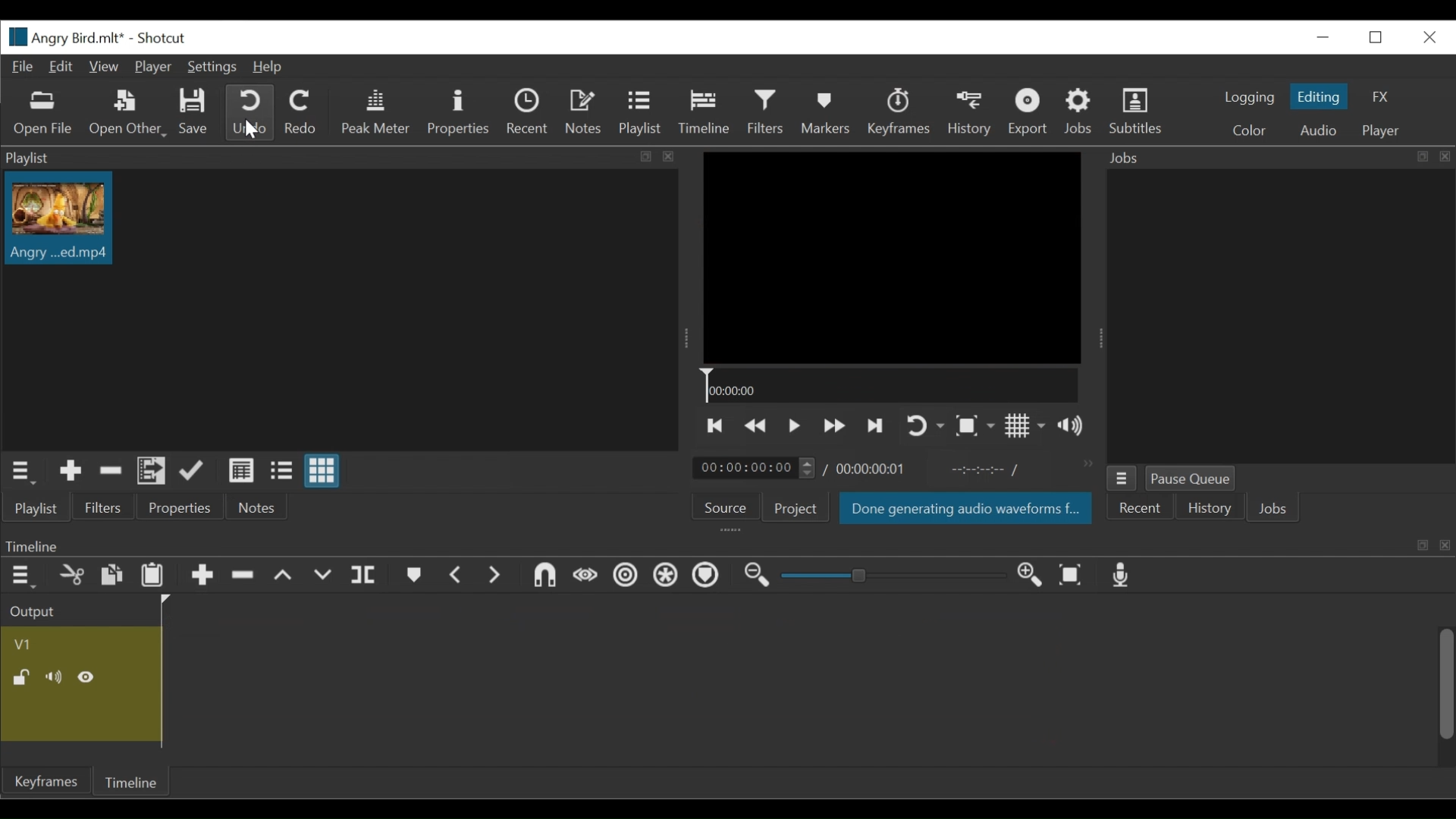 This screenshot has width=1456, height=819. I want to click on Player, so click(1384, 129).